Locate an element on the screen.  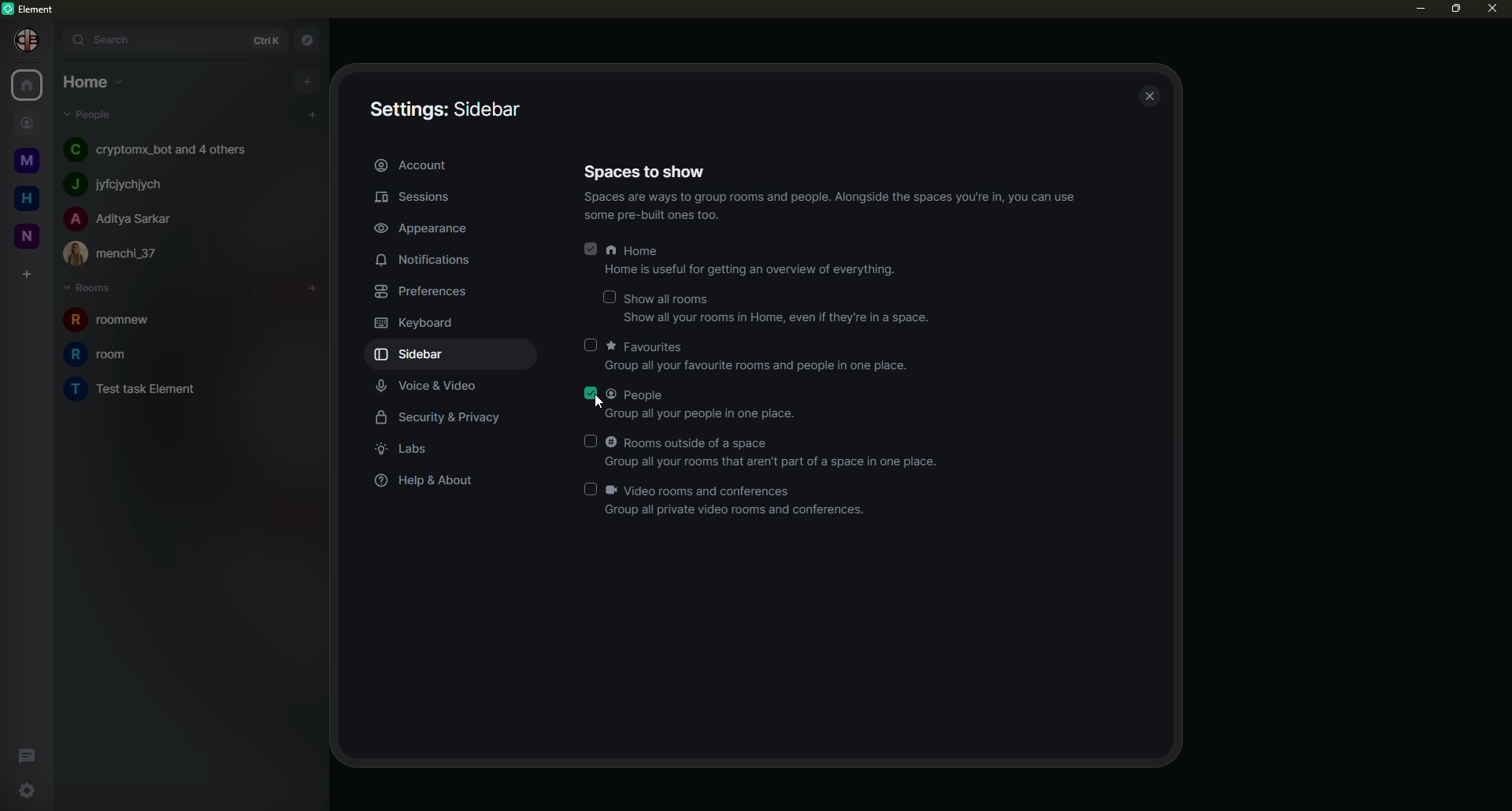
create space is located at coordinates (24, 276).